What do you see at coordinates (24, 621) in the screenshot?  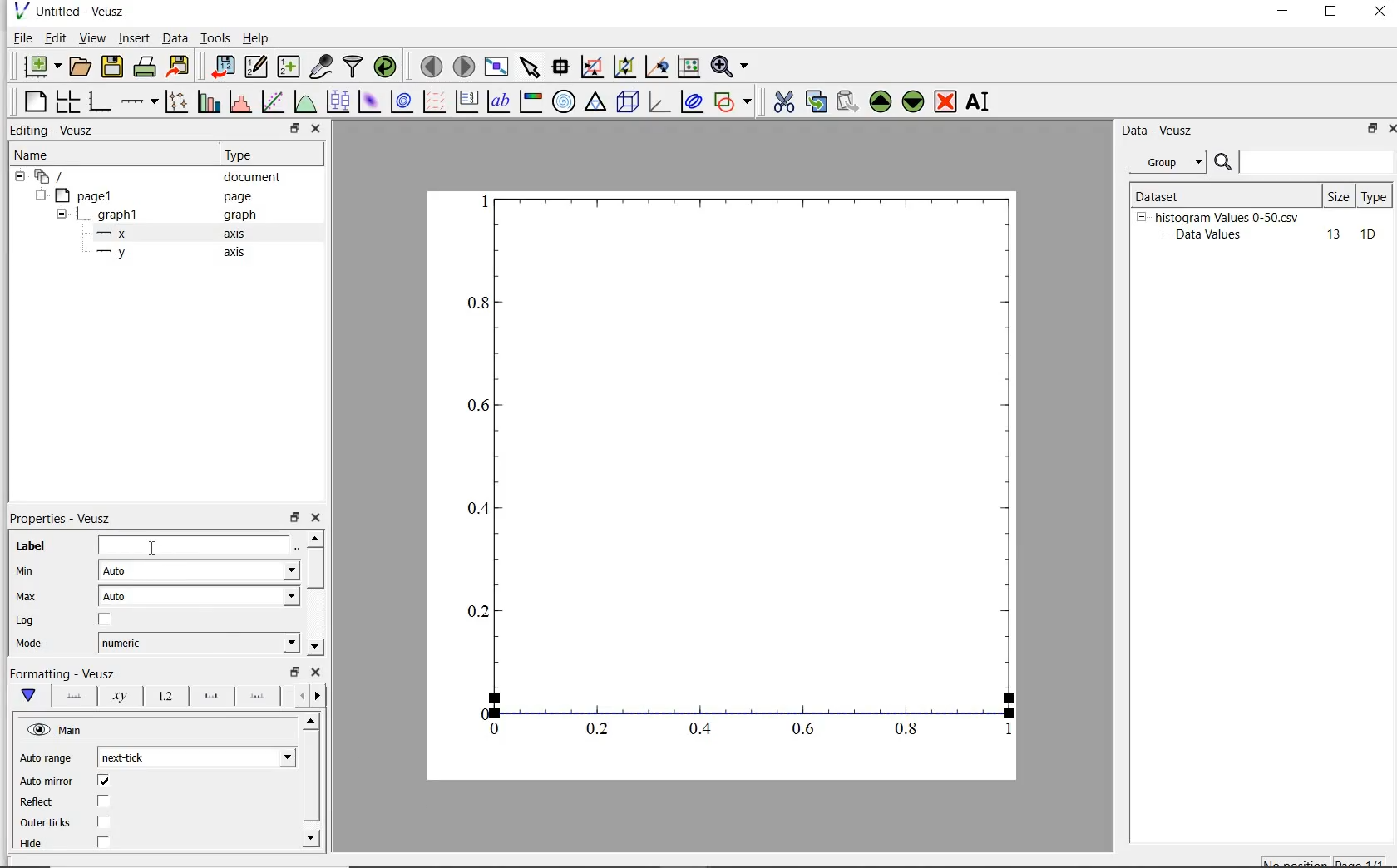 I see `Log` at bounding box center [24, 621].